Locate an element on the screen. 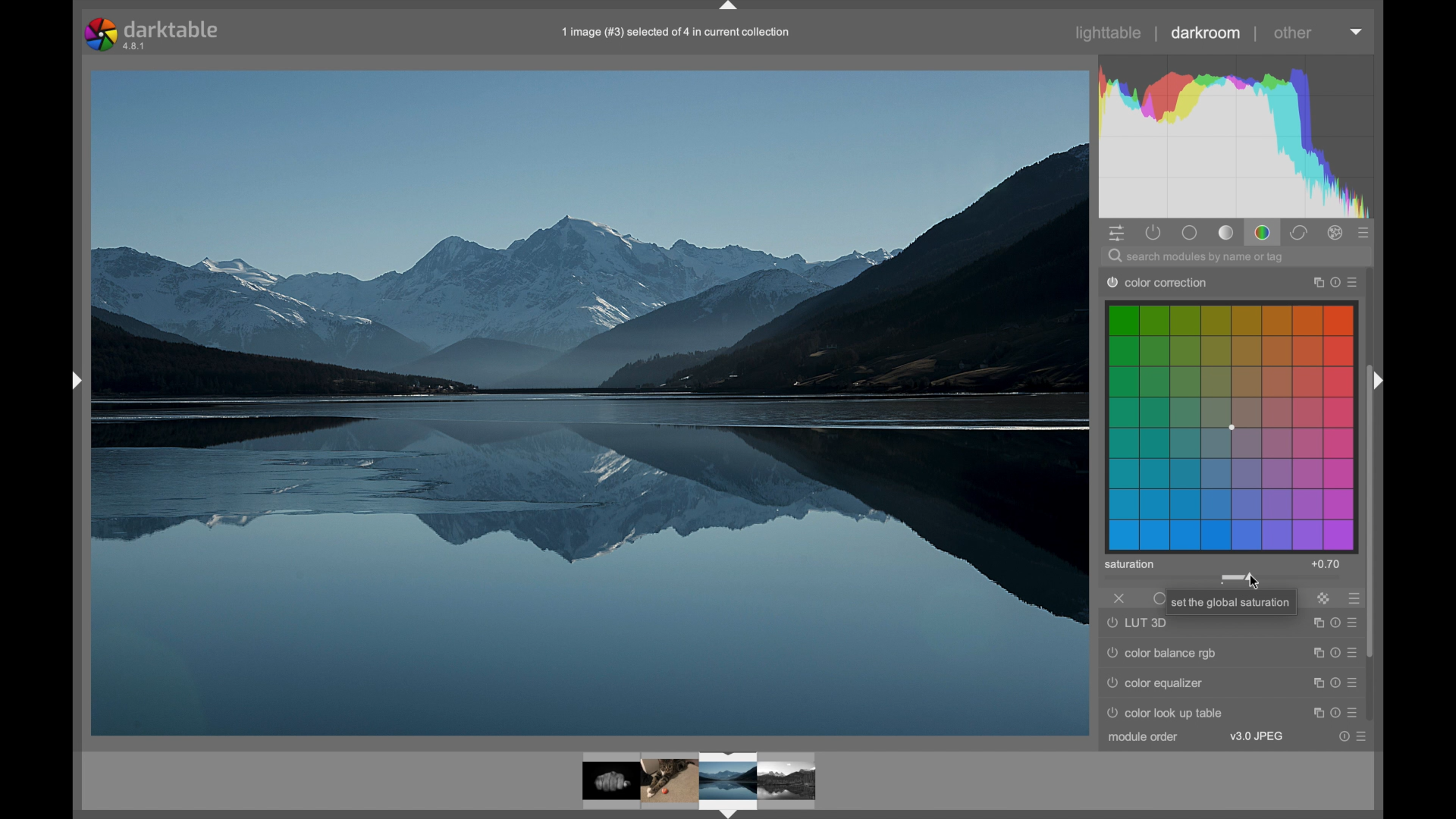  color tiles is located at coordinates (1232, 426).